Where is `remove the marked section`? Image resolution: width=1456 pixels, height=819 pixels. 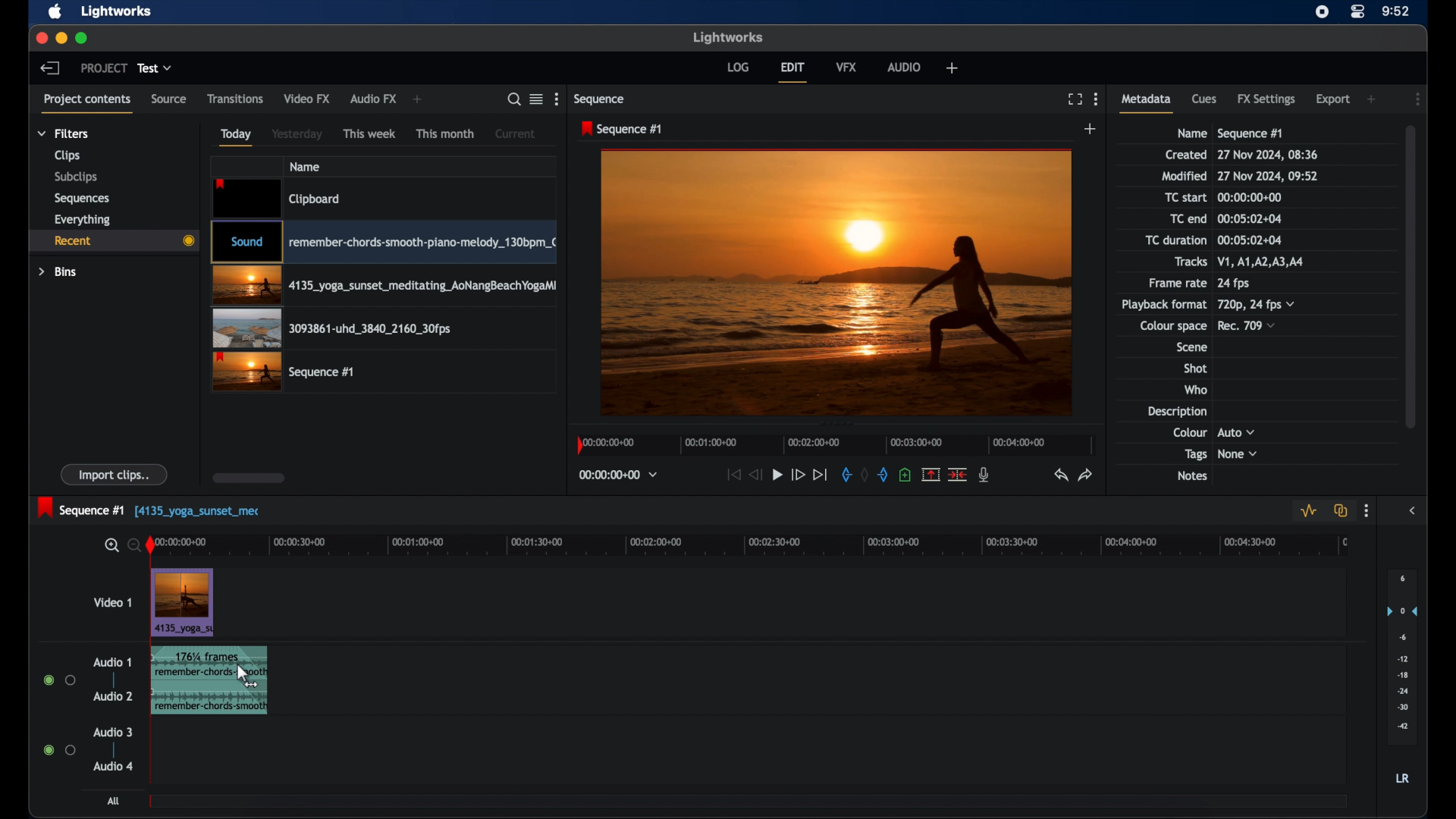 remove the marked section is located at coordinates (931, 473).